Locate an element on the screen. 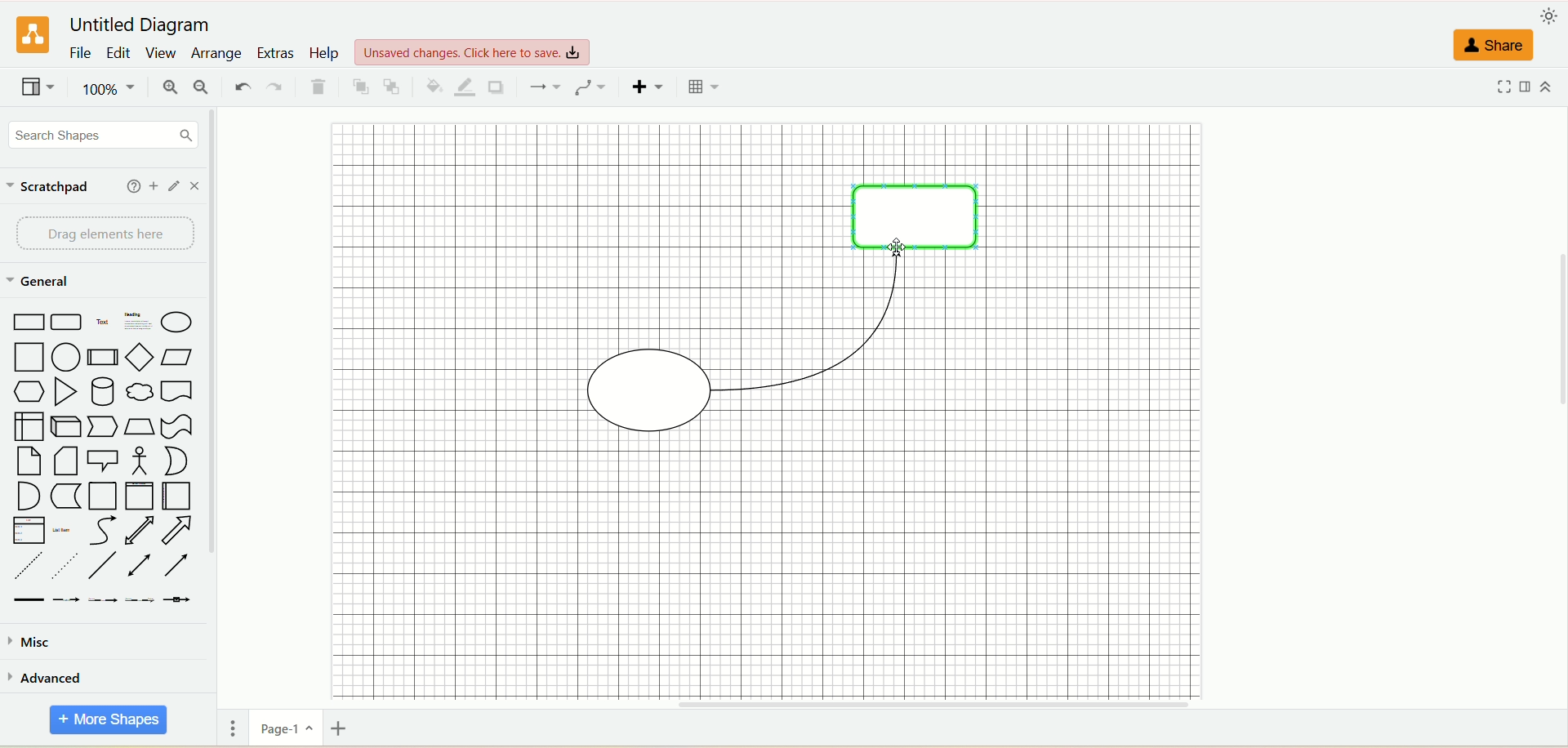  vertical scroll bar is located at coordinates (219, 403).